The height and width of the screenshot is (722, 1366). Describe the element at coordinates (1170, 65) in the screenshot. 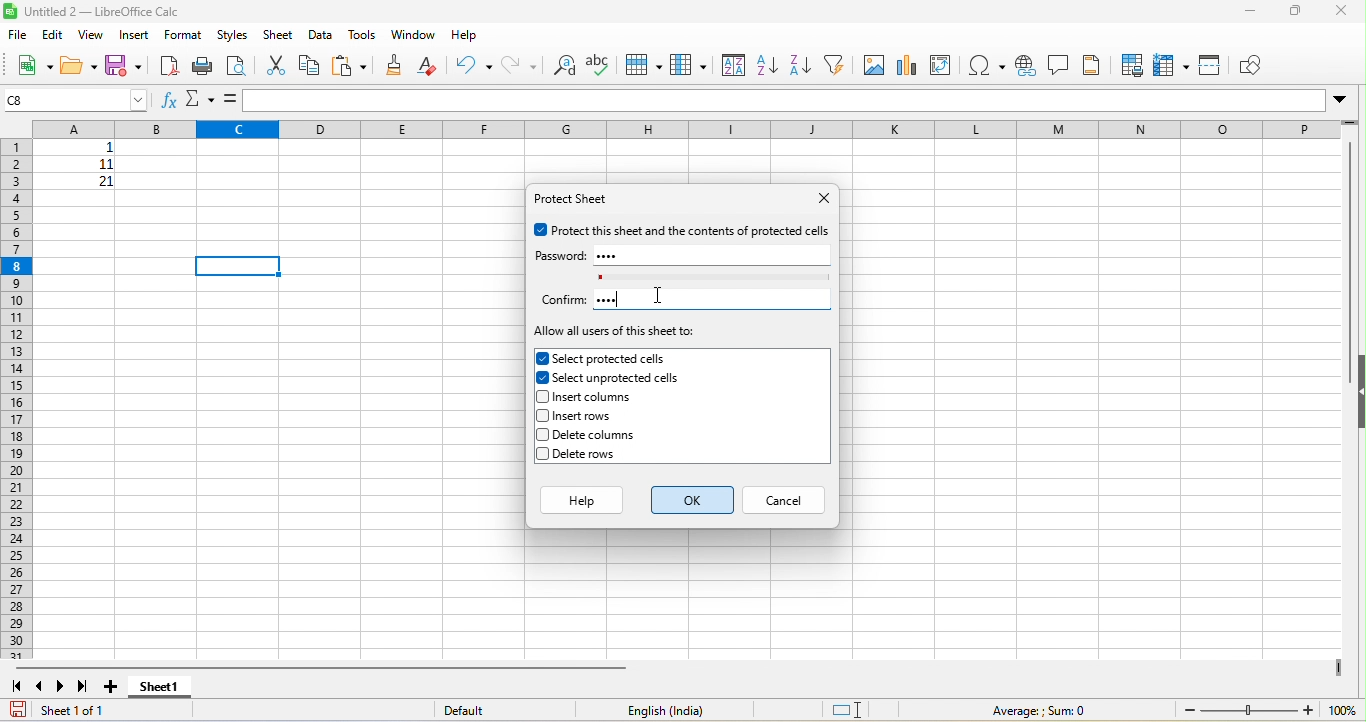

I see `freeze rows and columns` at that location.